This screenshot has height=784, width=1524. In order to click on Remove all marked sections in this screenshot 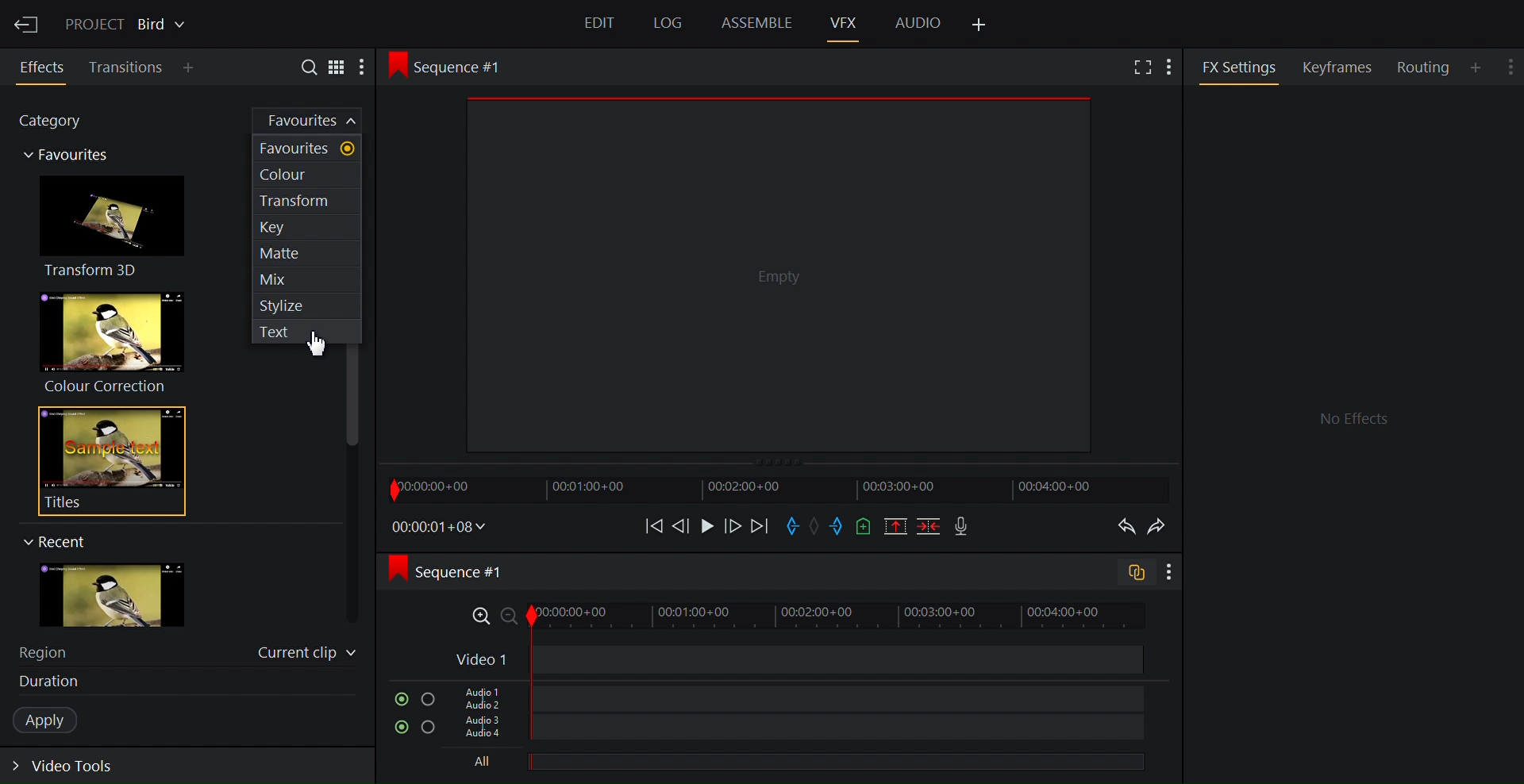, I will do `click(897, 528)`.